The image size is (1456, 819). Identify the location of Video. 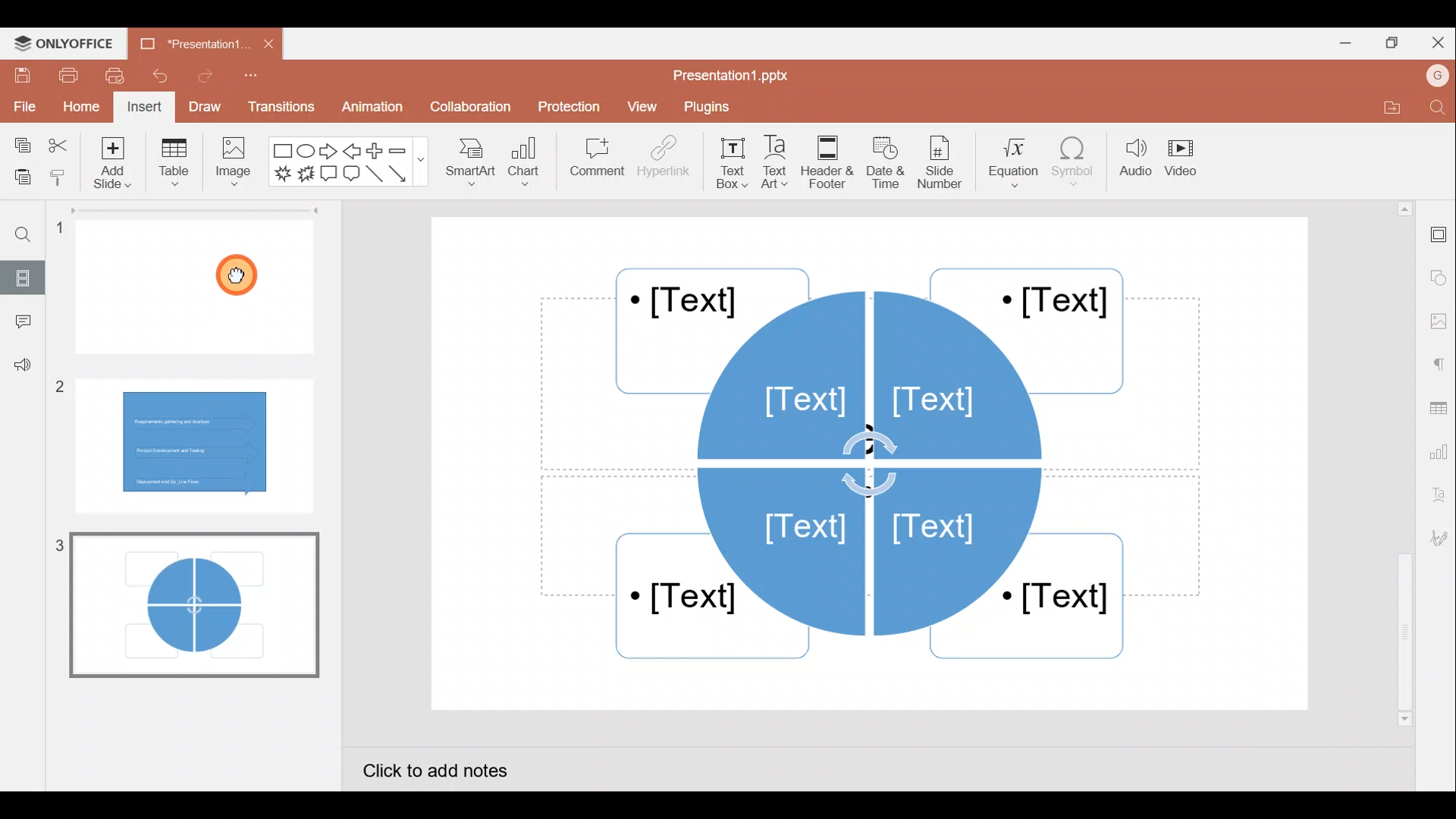
(1187, 157).